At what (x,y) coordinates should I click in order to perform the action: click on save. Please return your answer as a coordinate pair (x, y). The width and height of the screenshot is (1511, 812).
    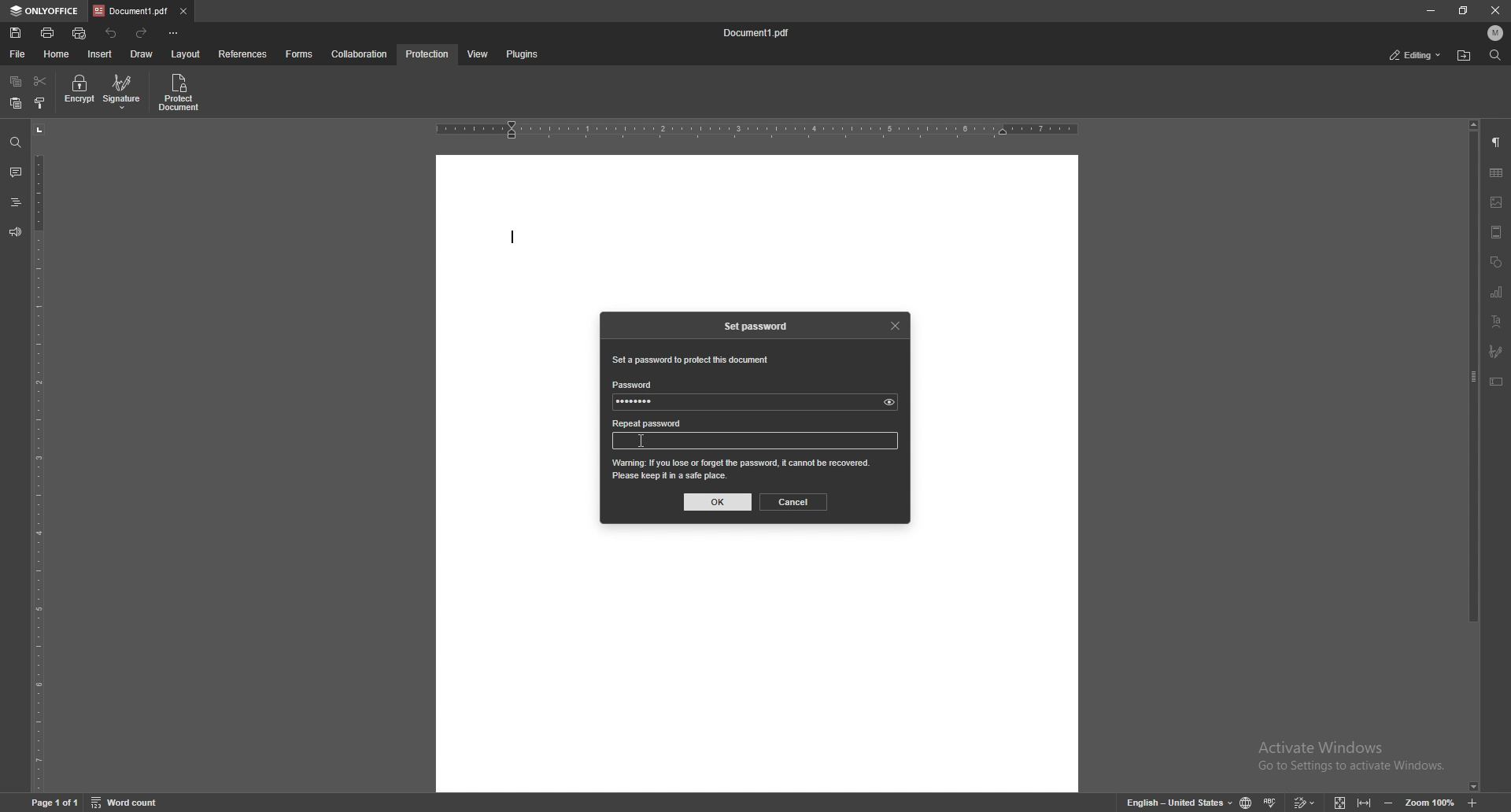
    Looking at the image, I should click on (16, 33).